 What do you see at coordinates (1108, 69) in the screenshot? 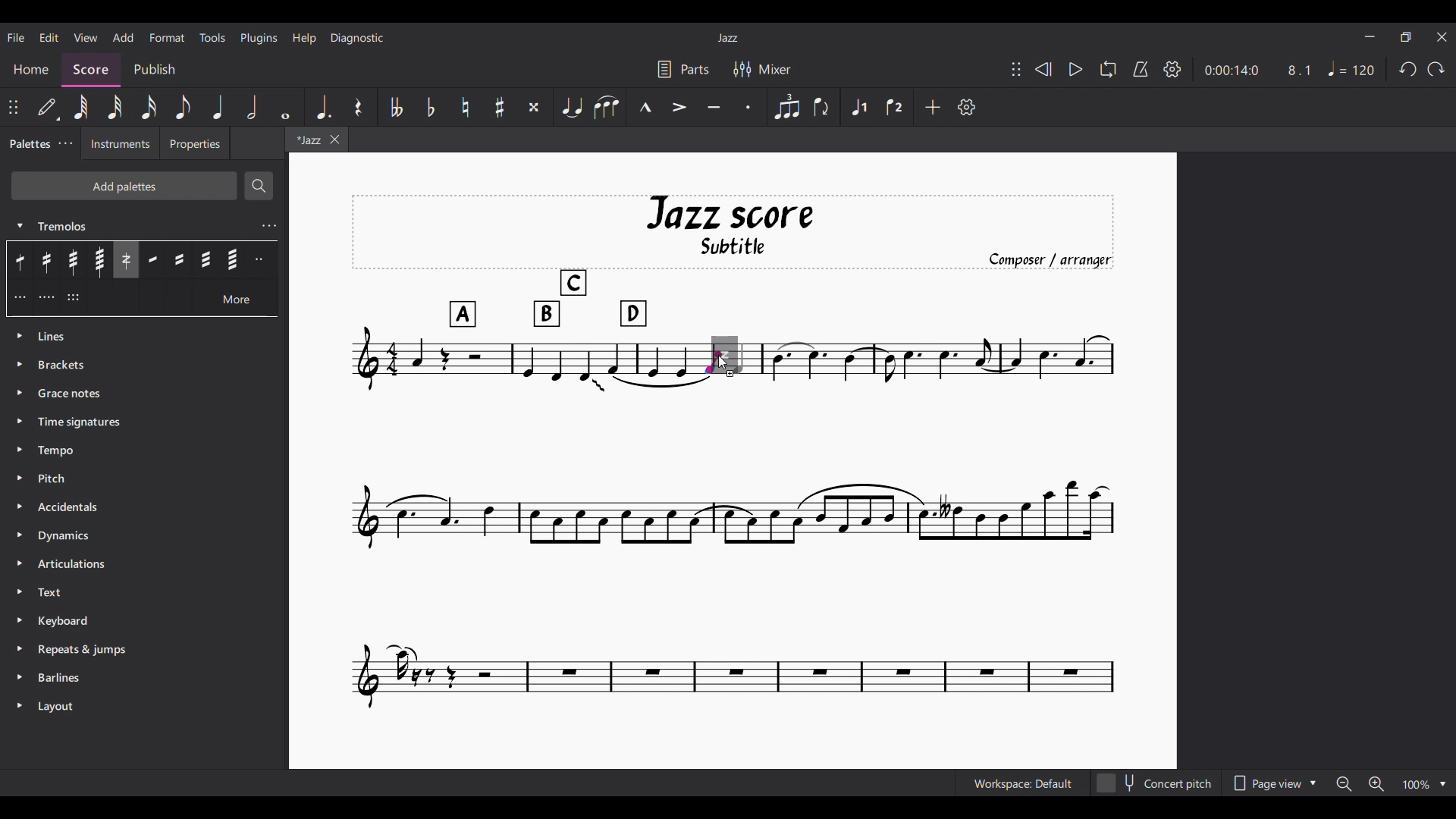
I see `Loop playback` at bounding box center [1108, 69].